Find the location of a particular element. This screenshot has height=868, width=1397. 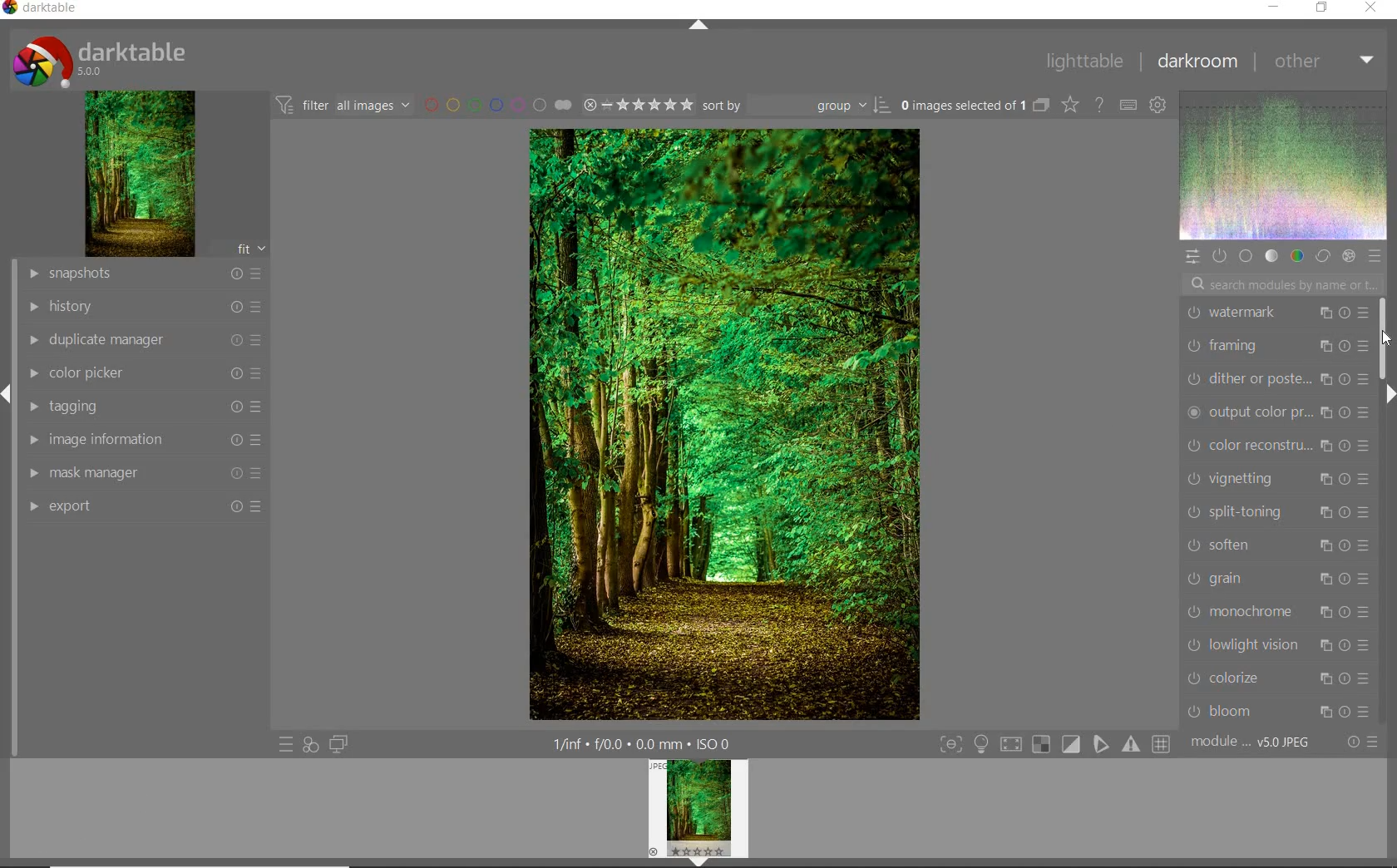

QUICK ACCESS TO PRESETS is located at coordinates (285, 743).